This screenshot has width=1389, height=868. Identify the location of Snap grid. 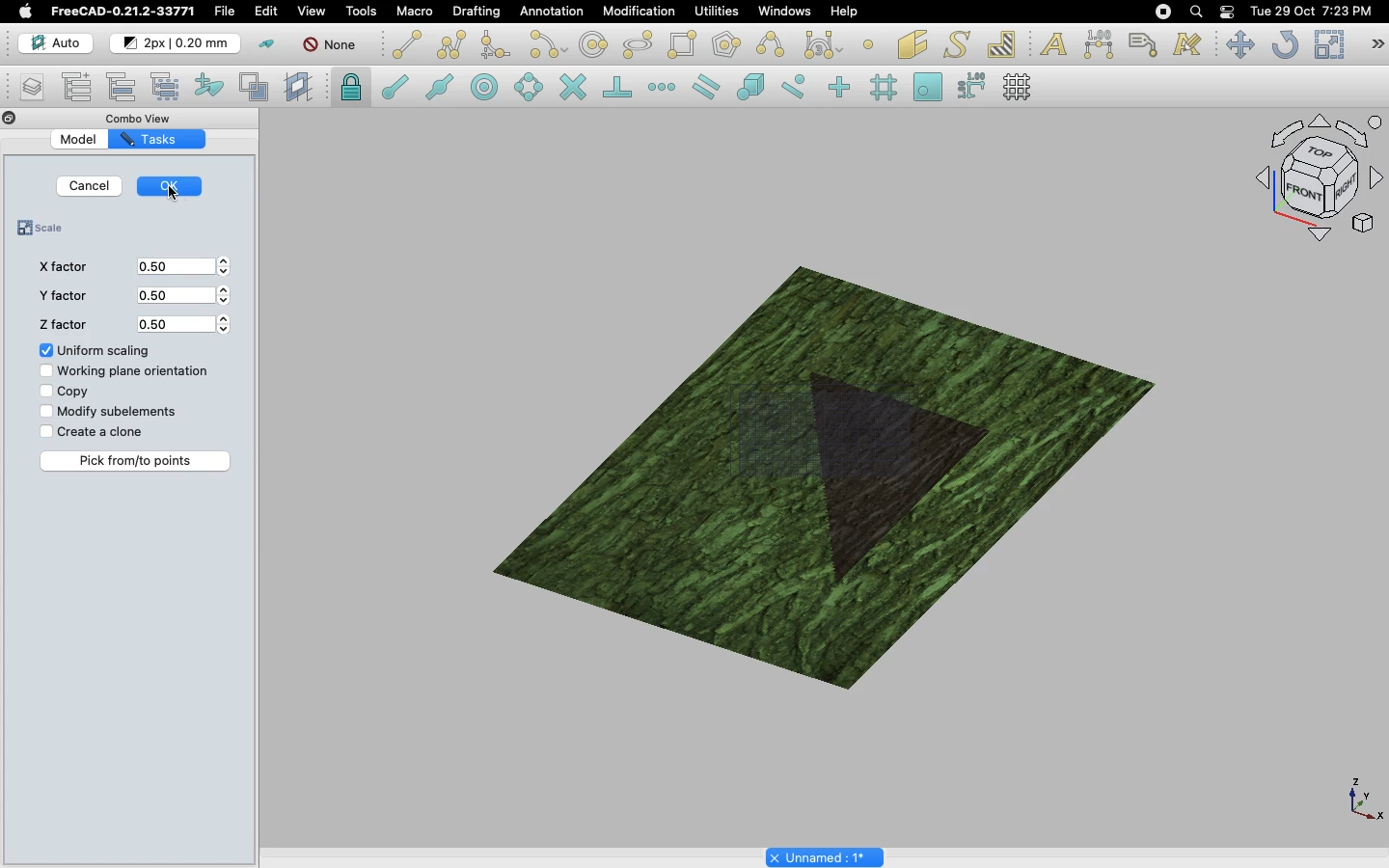
(885, 87).